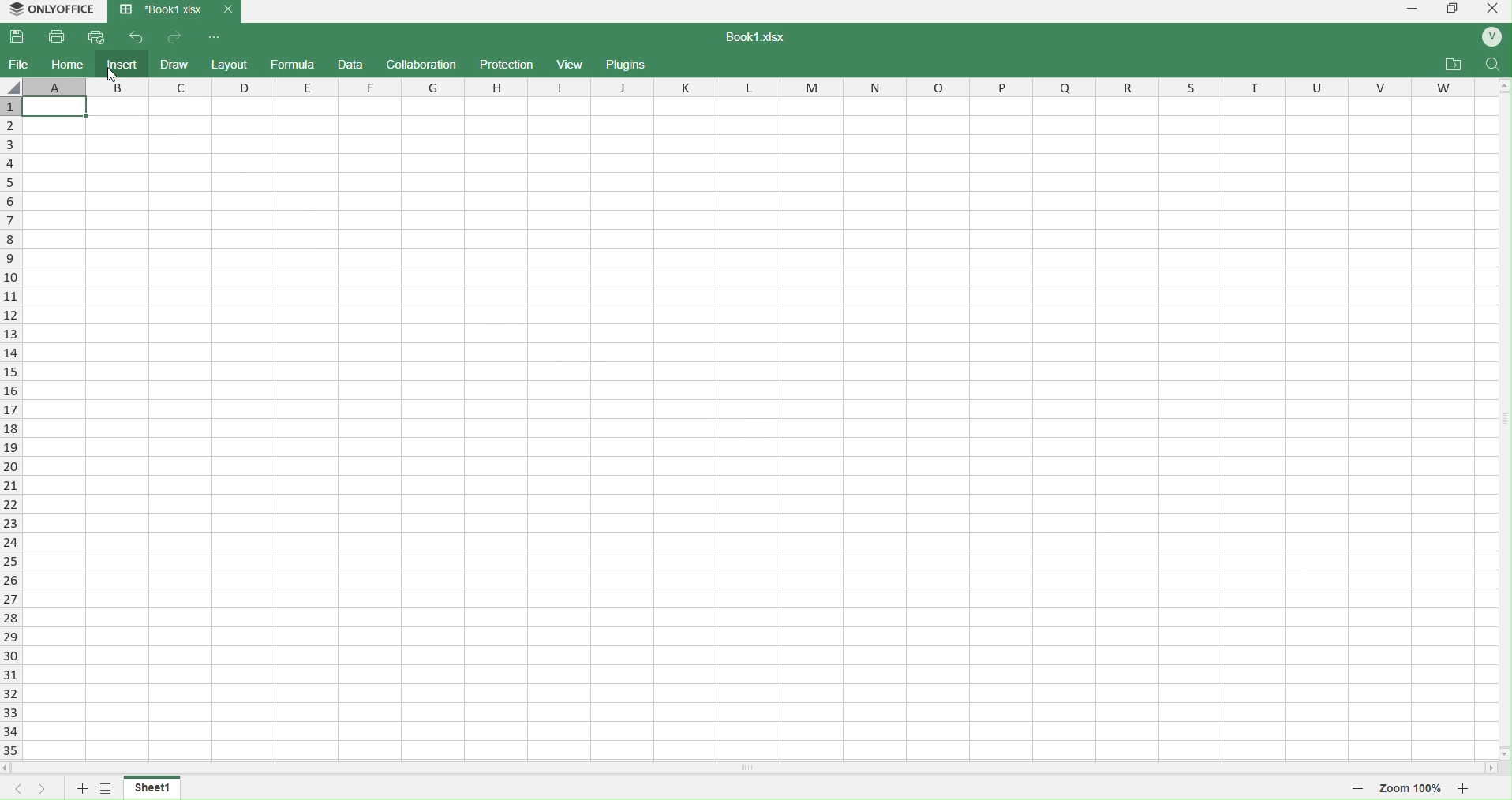 The image size is (1512, 800). What do you see at coordinates (177, 37) in the screenshot?
I see `forward` at bounding box center [177, 37].